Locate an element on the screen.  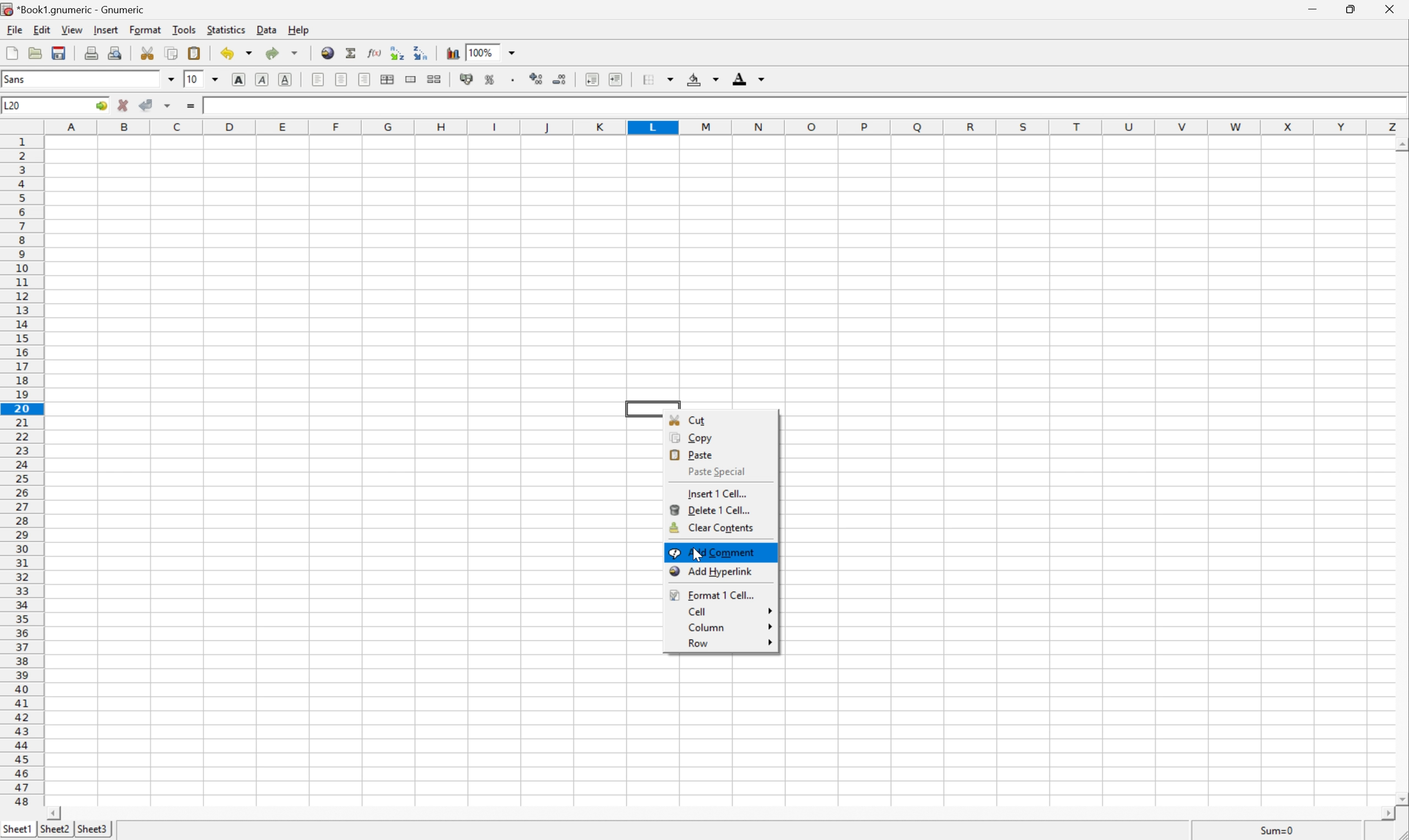
Sheet1 is located at coordinates (19, 829).